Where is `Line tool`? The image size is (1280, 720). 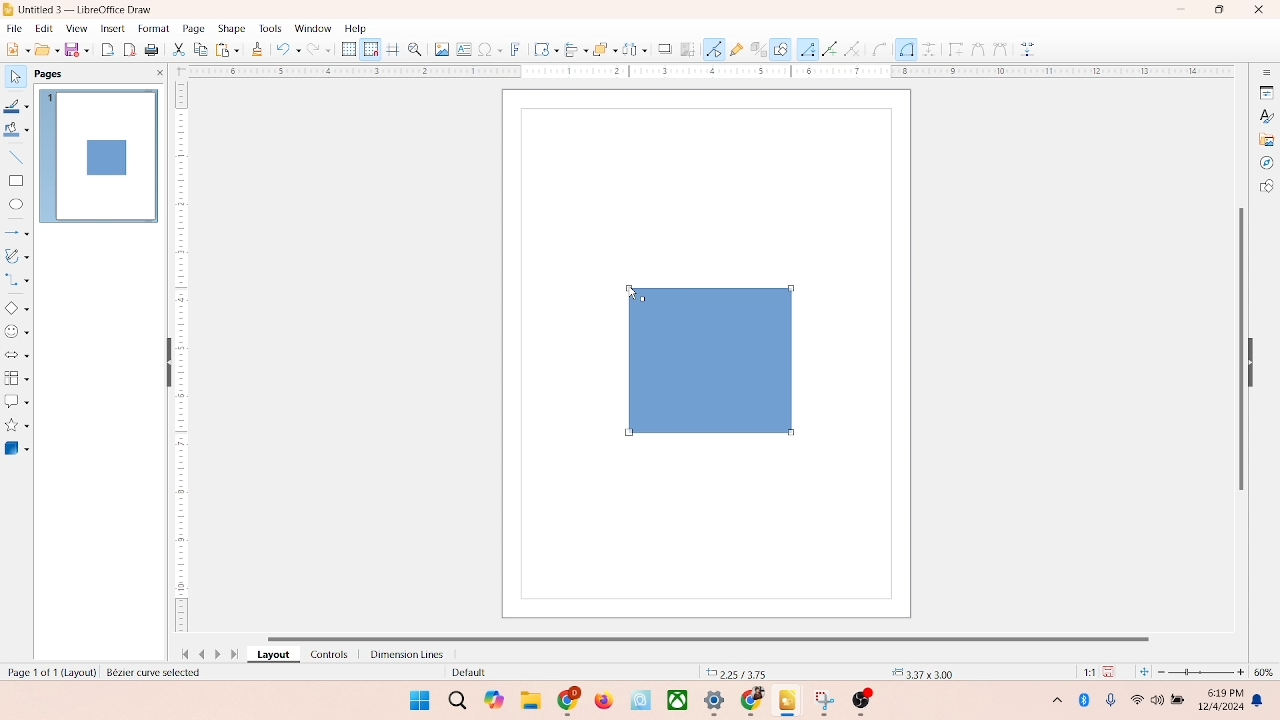 Line tool is located at coordinates (807, 48).